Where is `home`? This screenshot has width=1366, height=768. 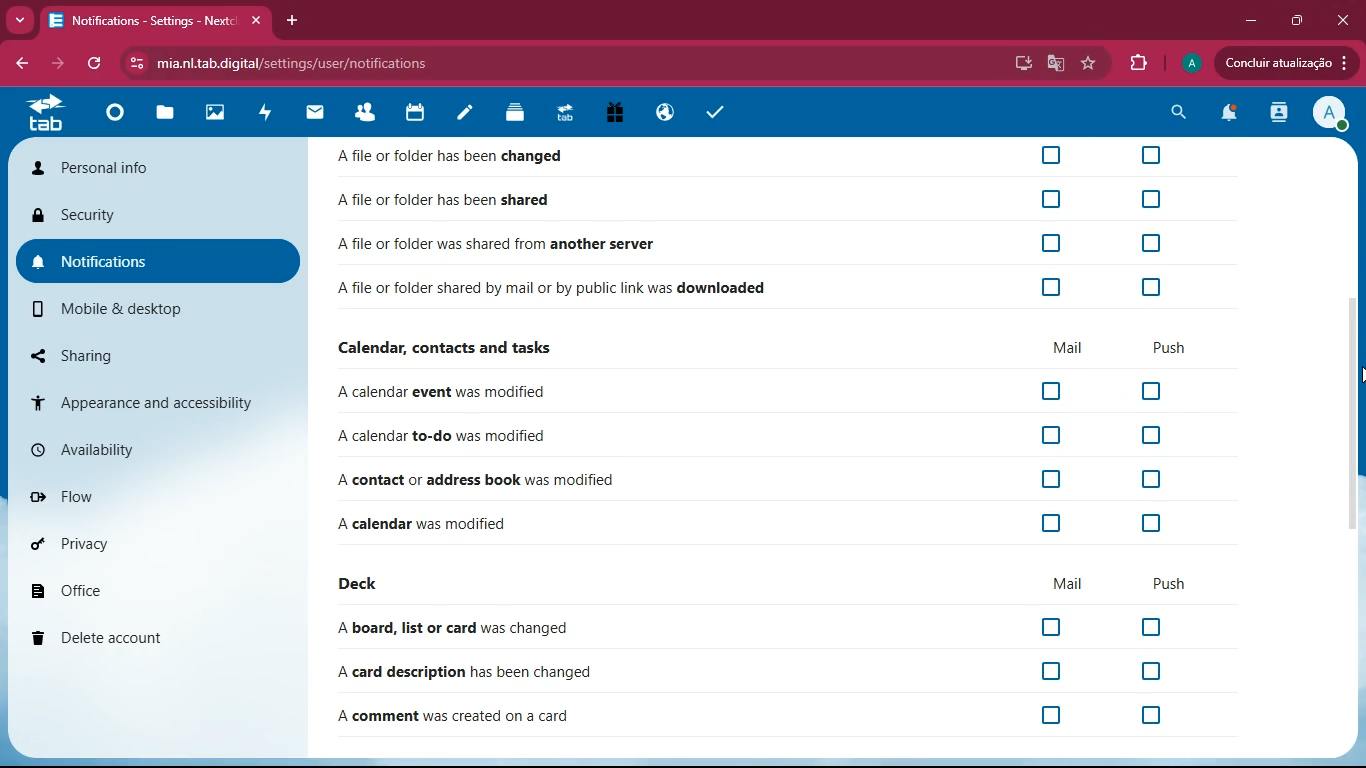 home is located at coordinates (118, 118).